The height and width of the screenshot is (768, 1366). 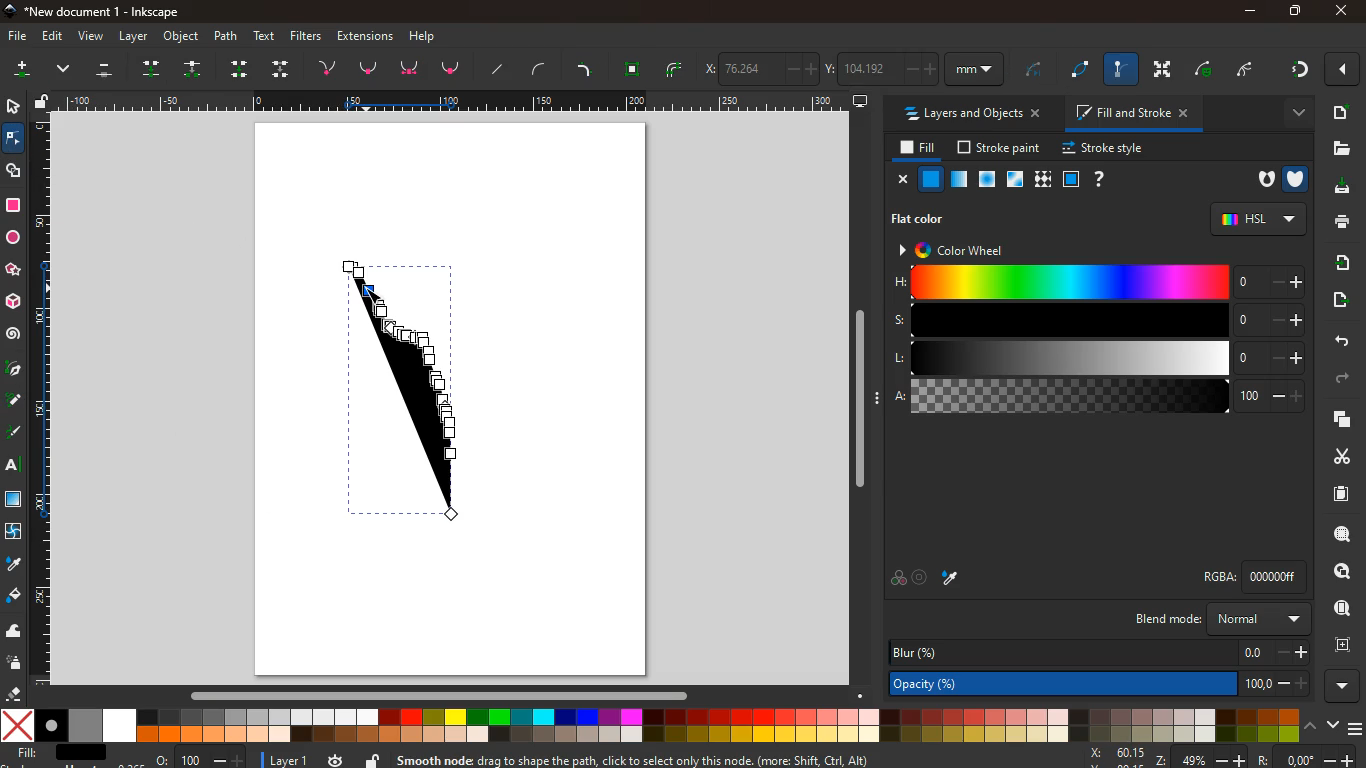 I want to click on coordinates, so click(x=854, y=66).